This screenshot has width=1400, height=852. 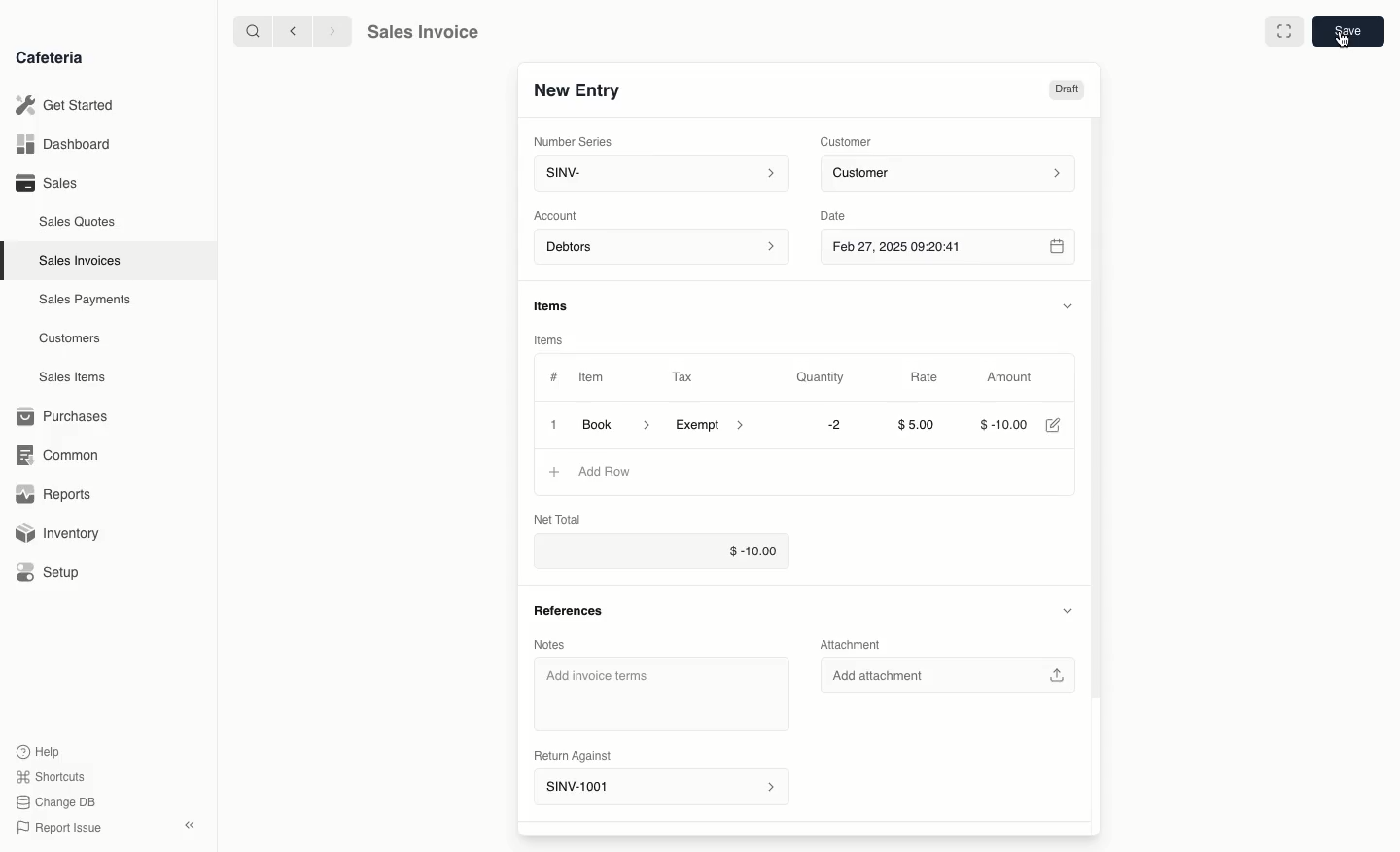 I want to click on Purchases, so click(x=67, y=416).